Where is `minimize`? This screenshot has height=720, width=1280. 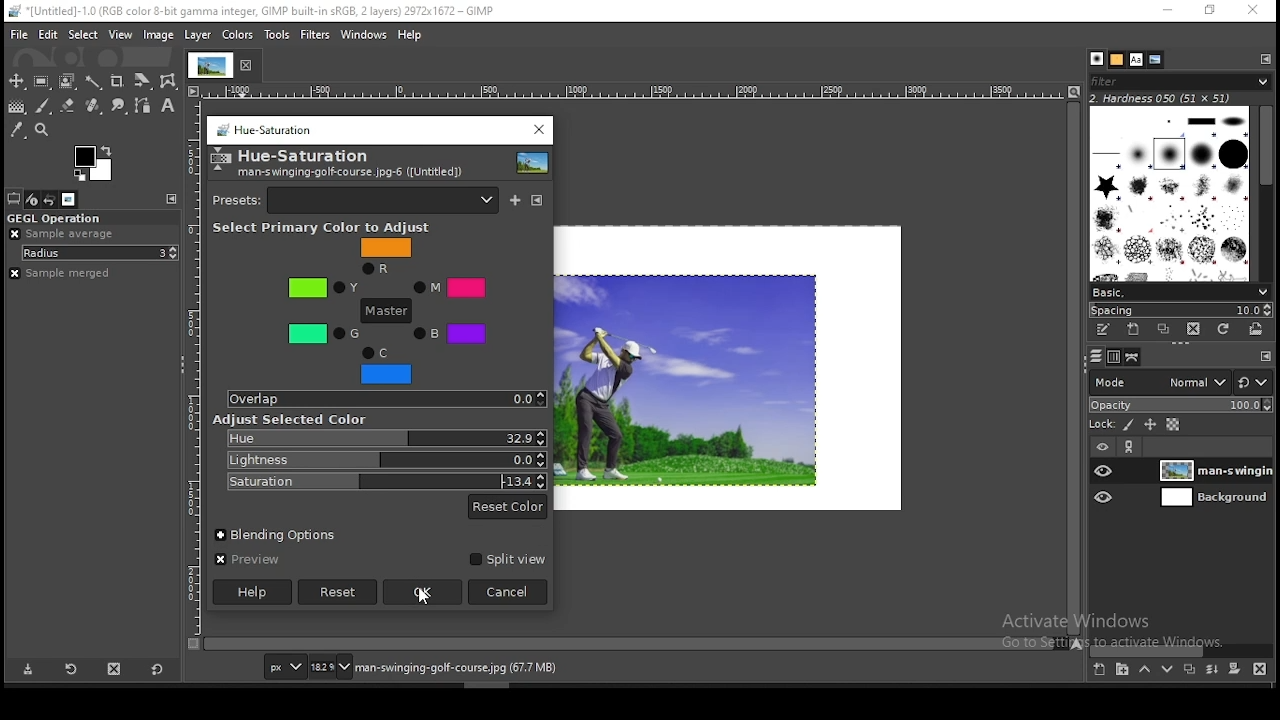 minimize is located at coordinates (1171, 10).